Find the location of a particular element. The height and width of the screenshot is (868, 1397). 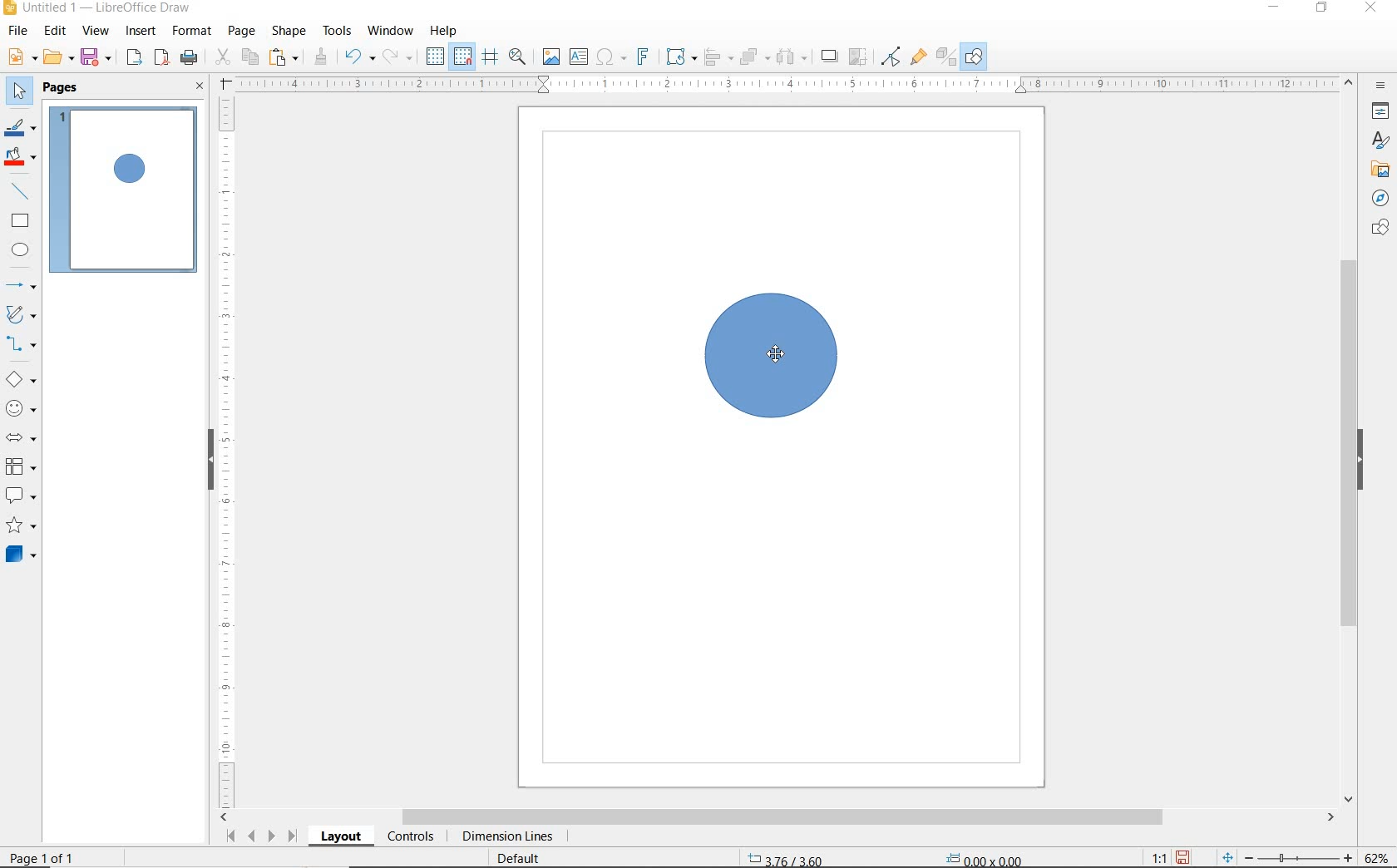

CONNECTORS is located at coordinates (22, 345).